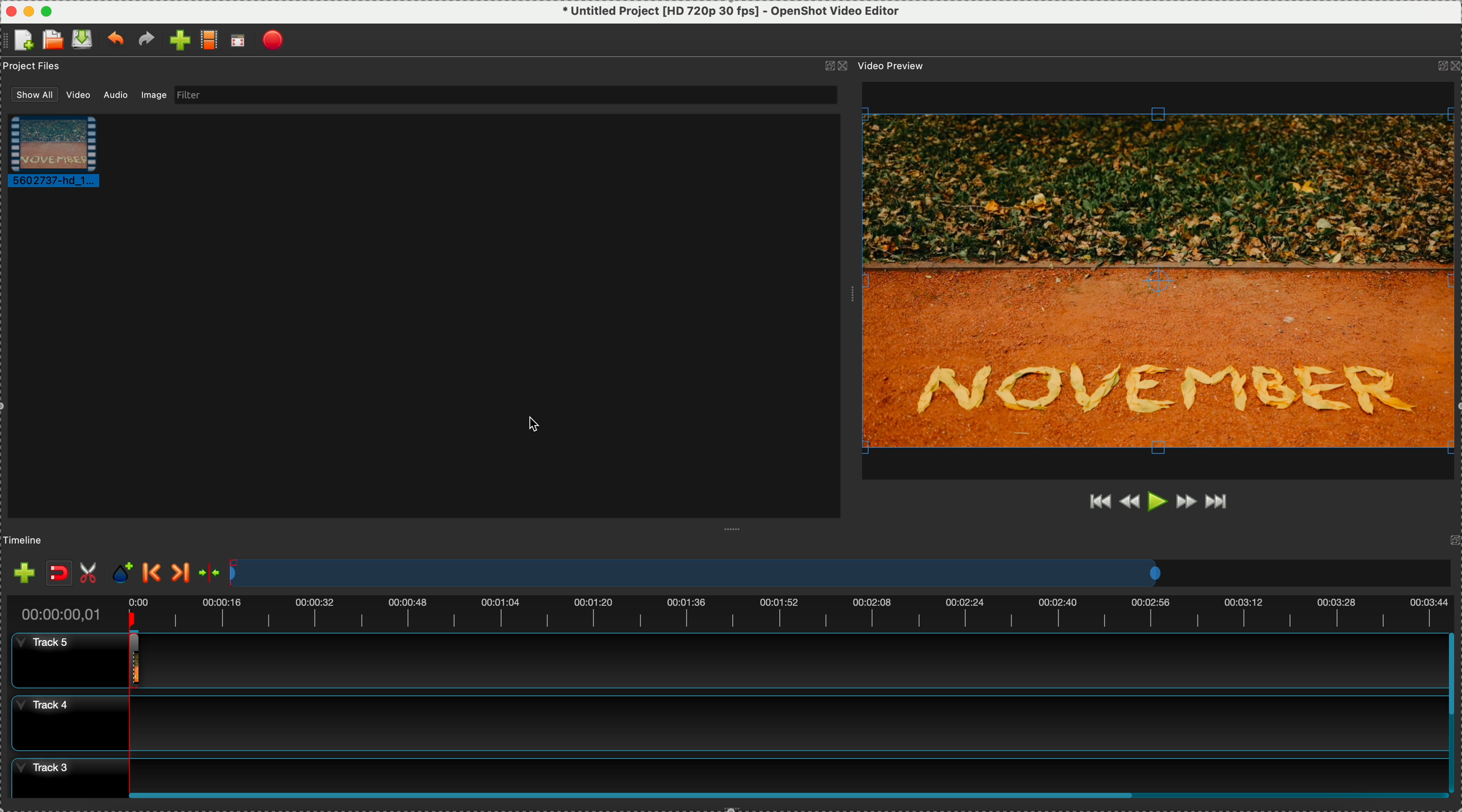 This screenshot has width=1462, height=812. I want to click on import file, so click(176, 40).